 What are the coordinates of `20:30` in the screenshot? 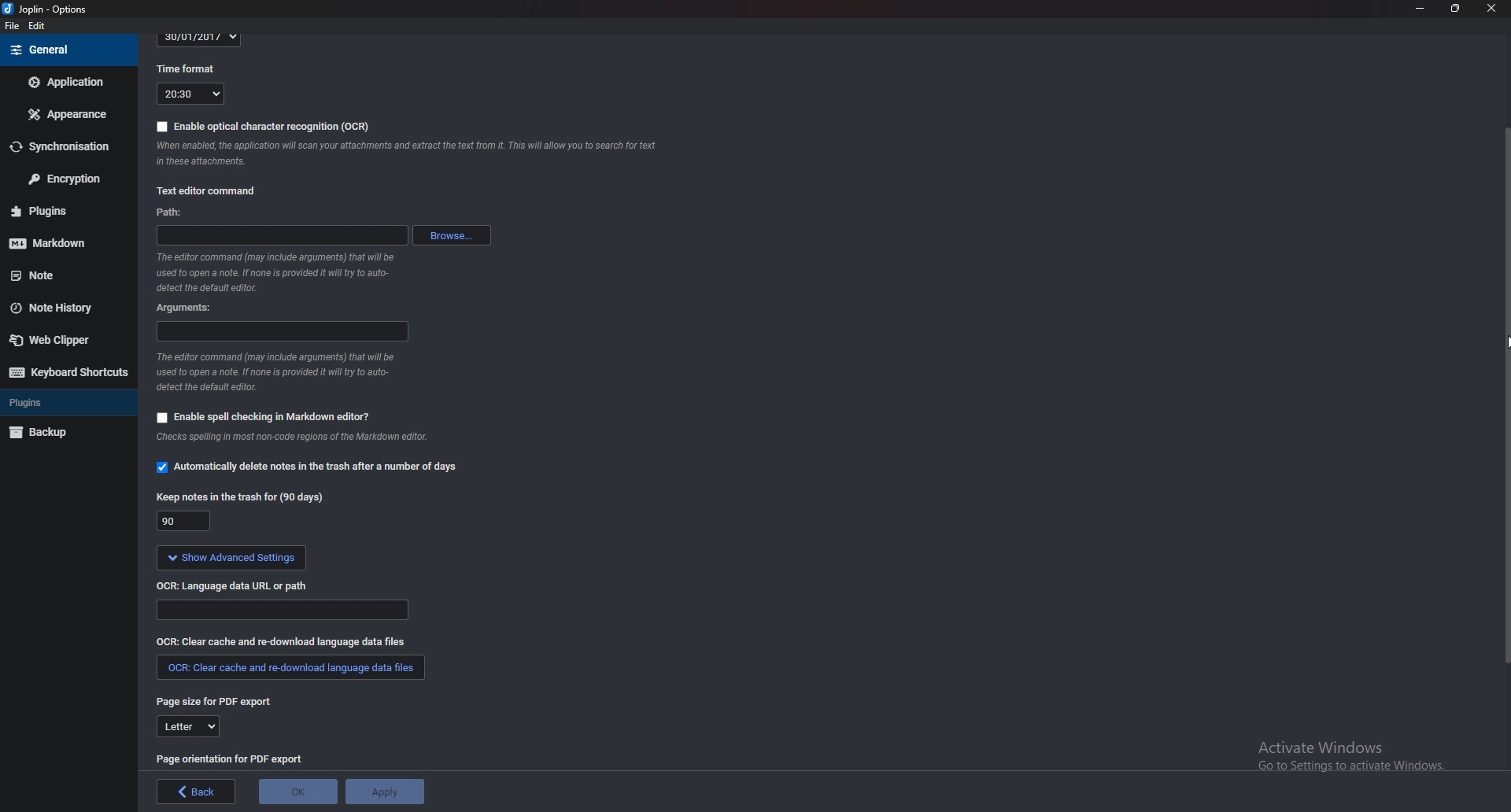 It's located at (190, 94).